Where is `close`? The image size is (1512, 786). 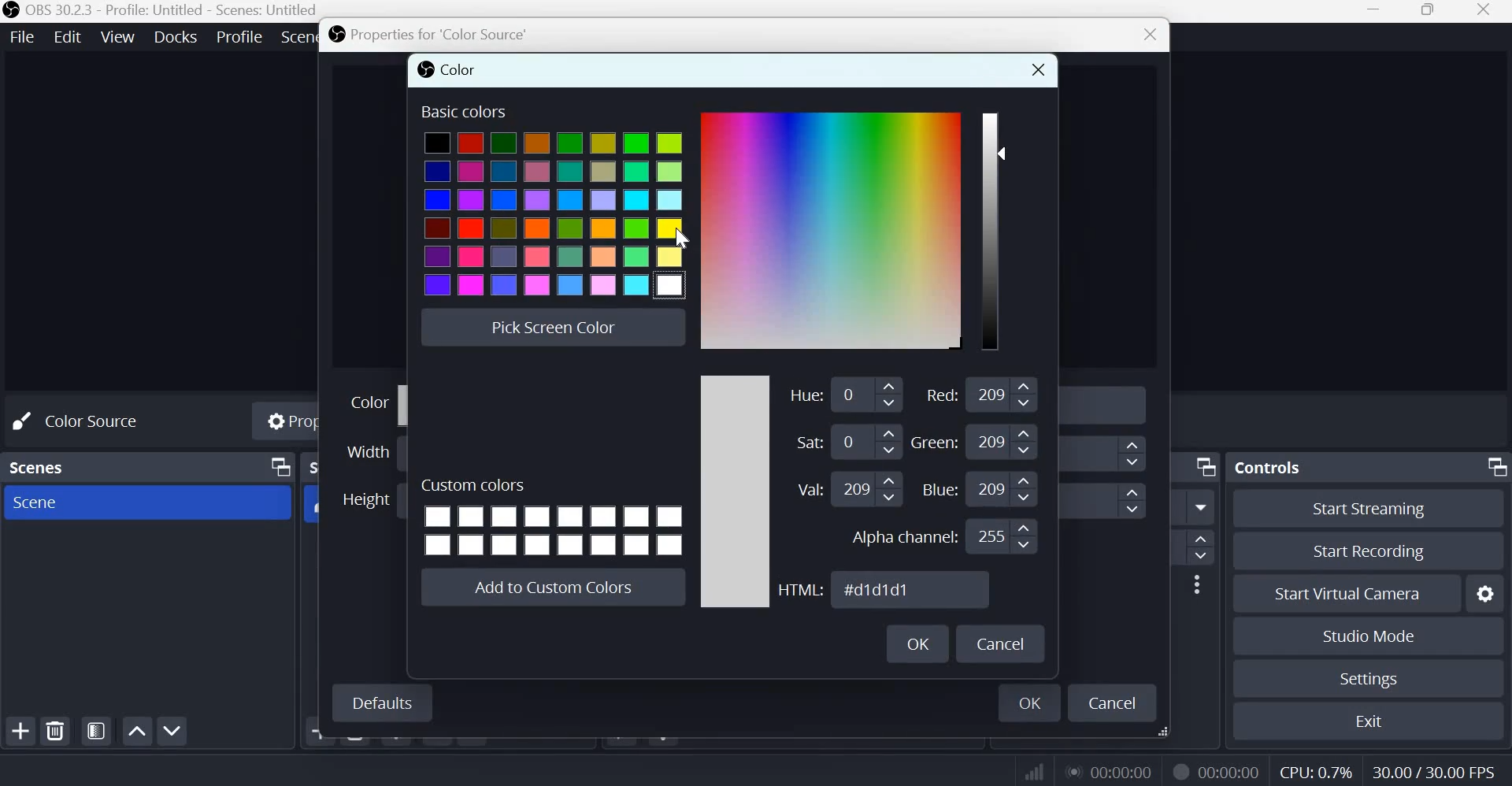 close is located at coordinates (1036, 73).